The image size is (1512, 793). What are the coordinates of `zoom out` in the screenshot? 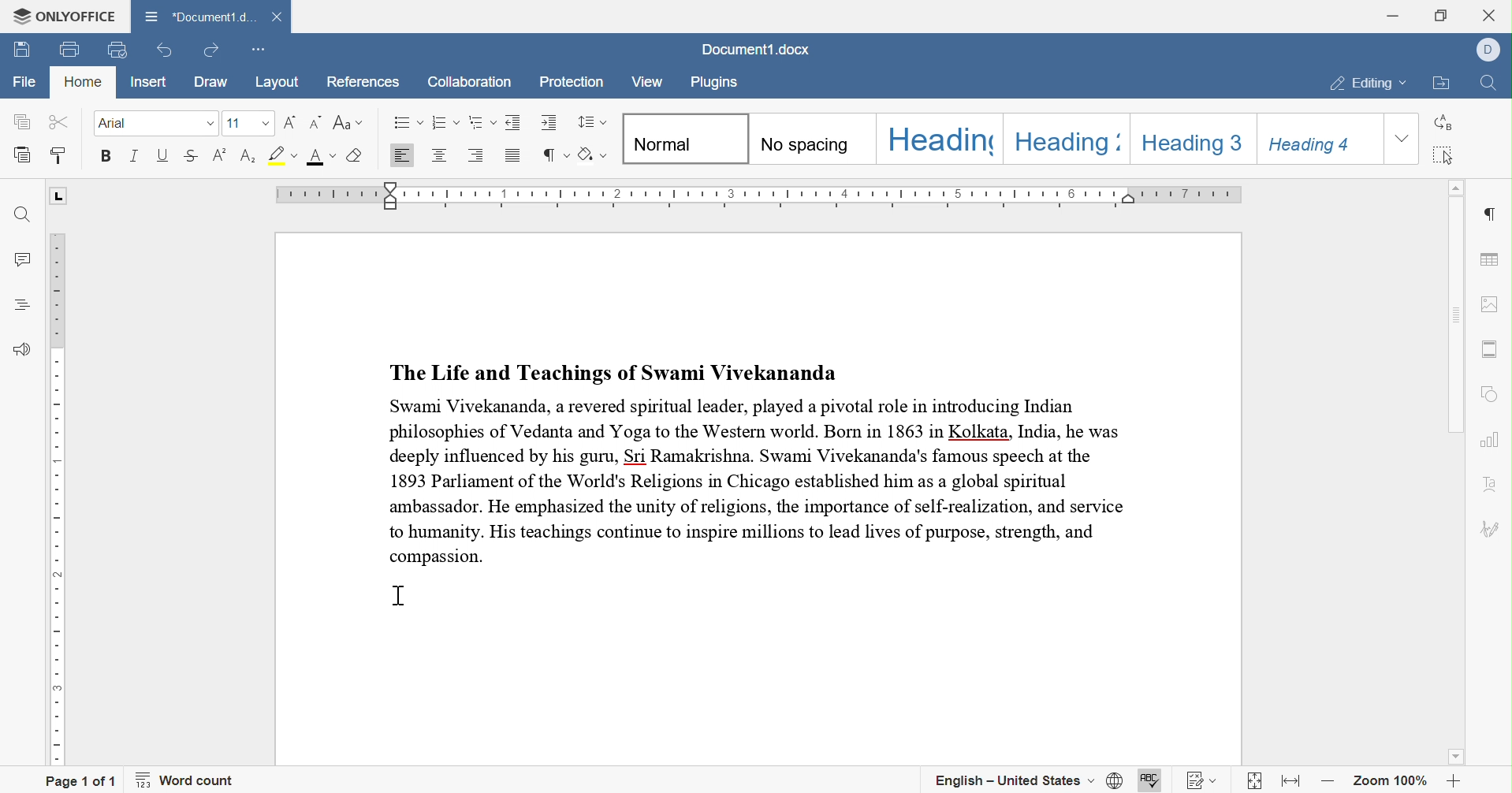 It's located at (1333, 782).